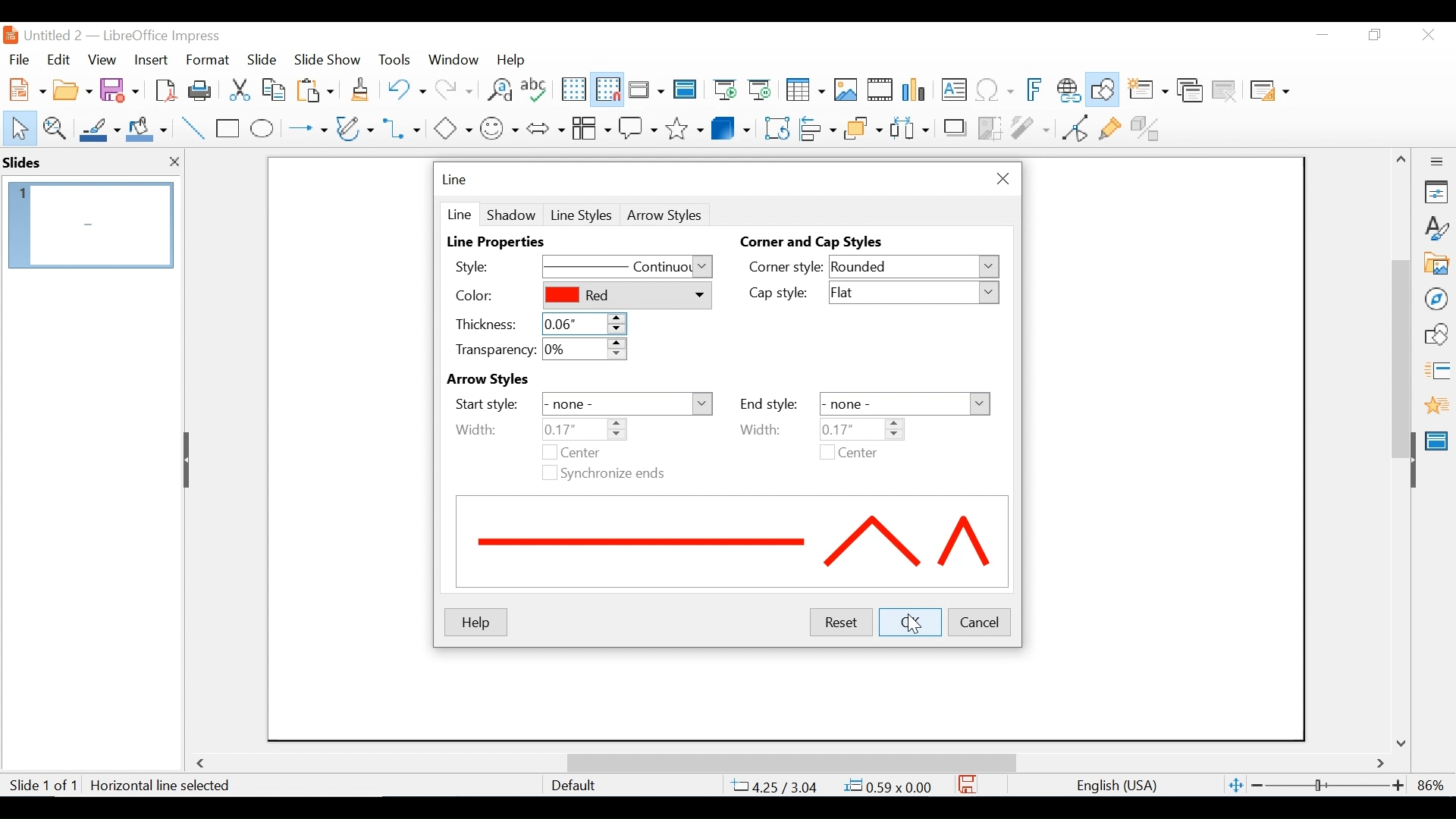 The image size is (1456, 819). What do you see at coordinates (513, 380) in the screenshot?
I see `Arrow Styles` at bounding box center [513, 380].